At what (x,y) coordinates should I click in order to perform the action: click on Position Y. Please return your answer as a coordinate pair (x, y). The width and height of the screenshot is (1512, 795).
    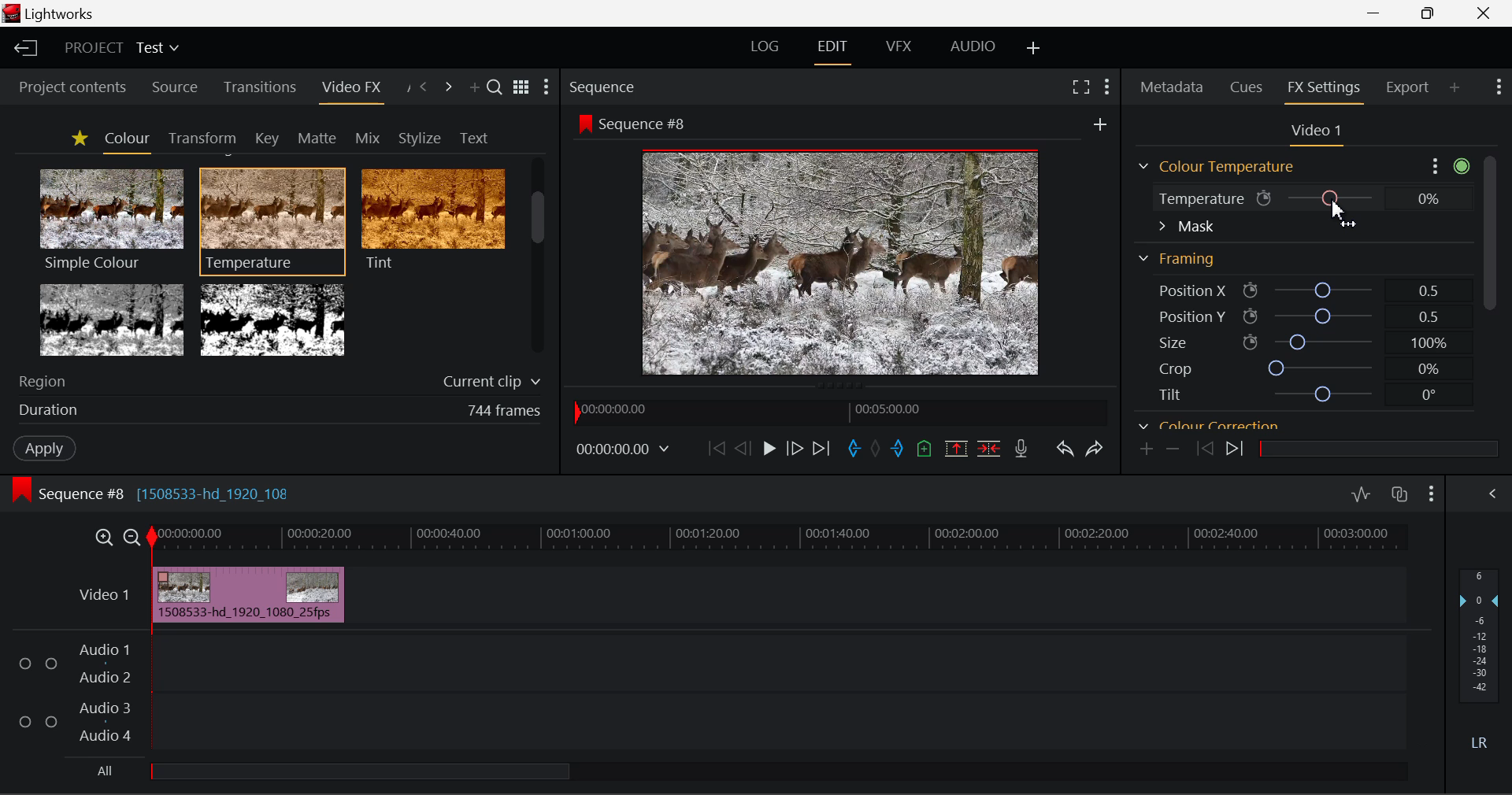
    Looking at the image, I should click on (1183, 316).